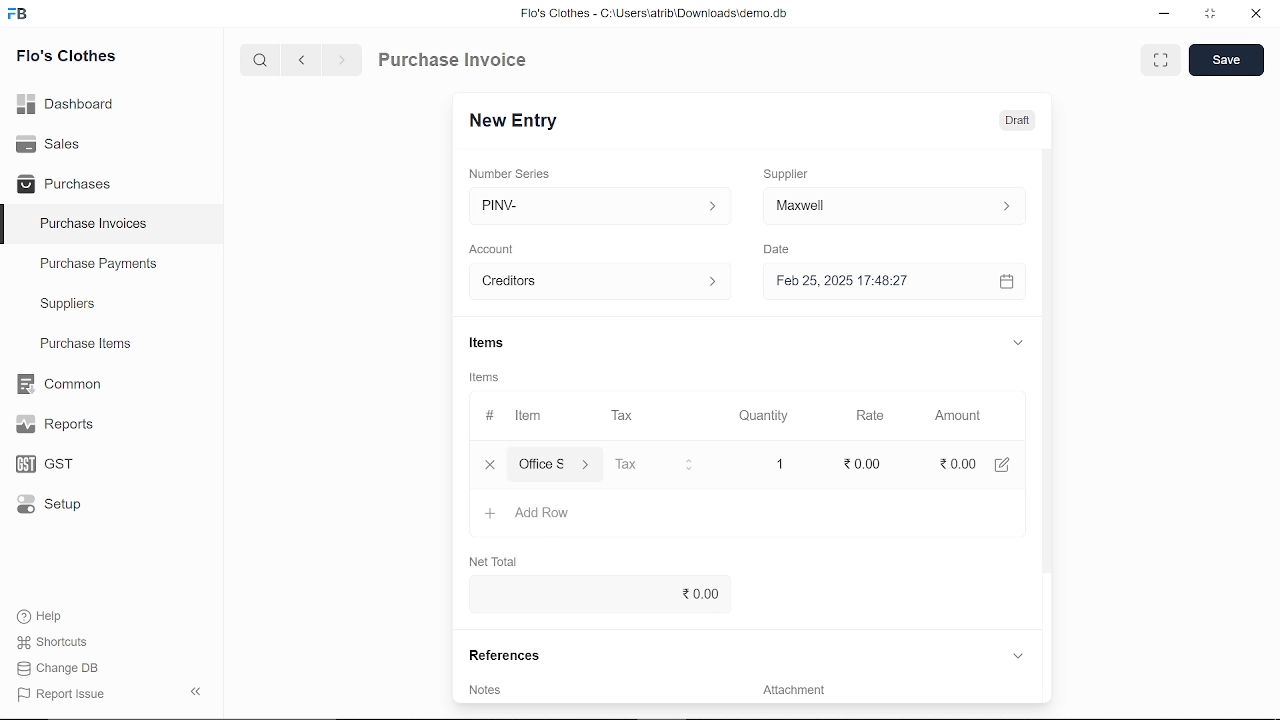  Describe the element at coordinates (782, 464) in the screenshot. I see `1` at that location.